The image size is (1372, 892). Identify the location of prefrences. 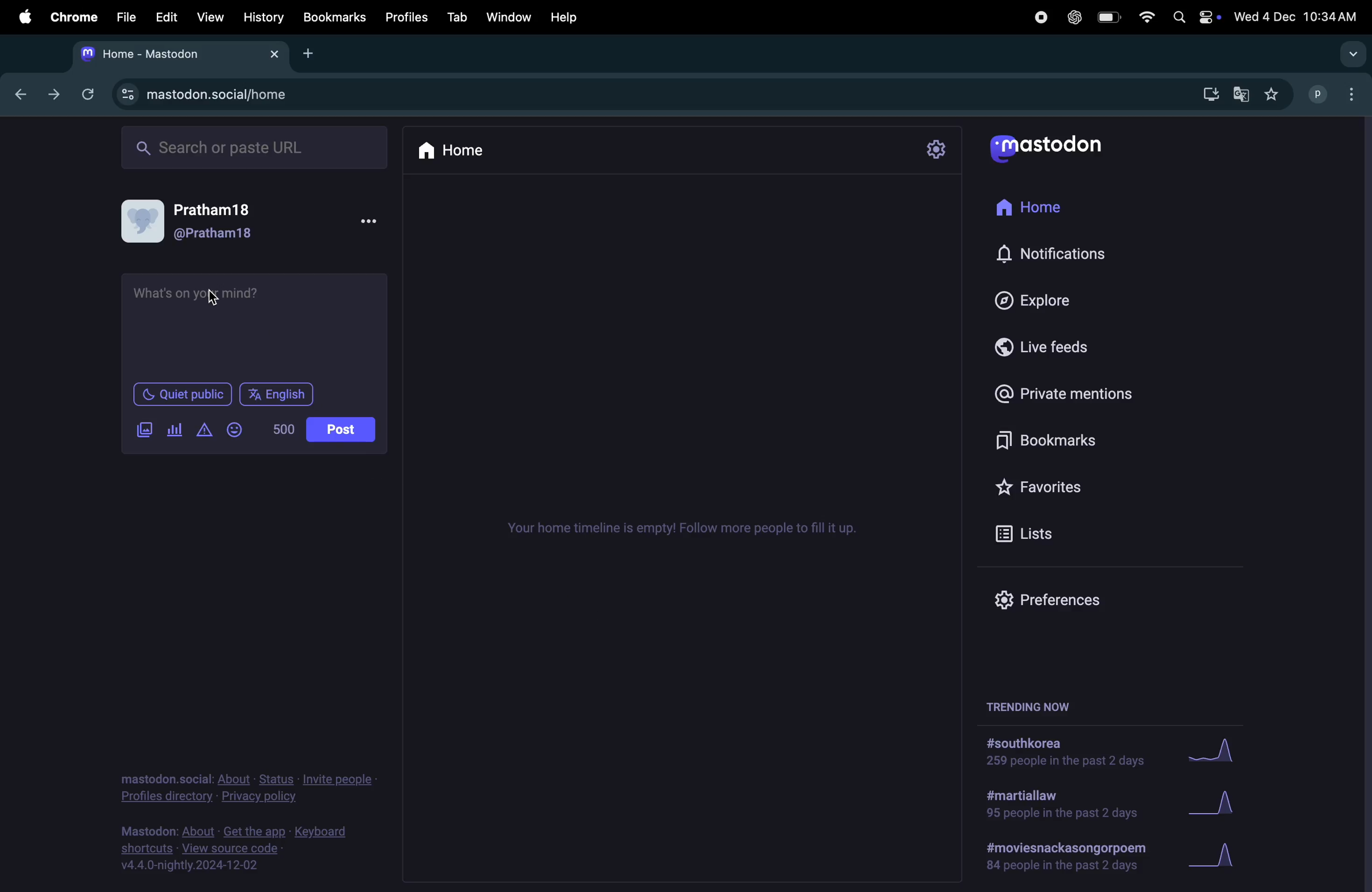
(1043, 601).